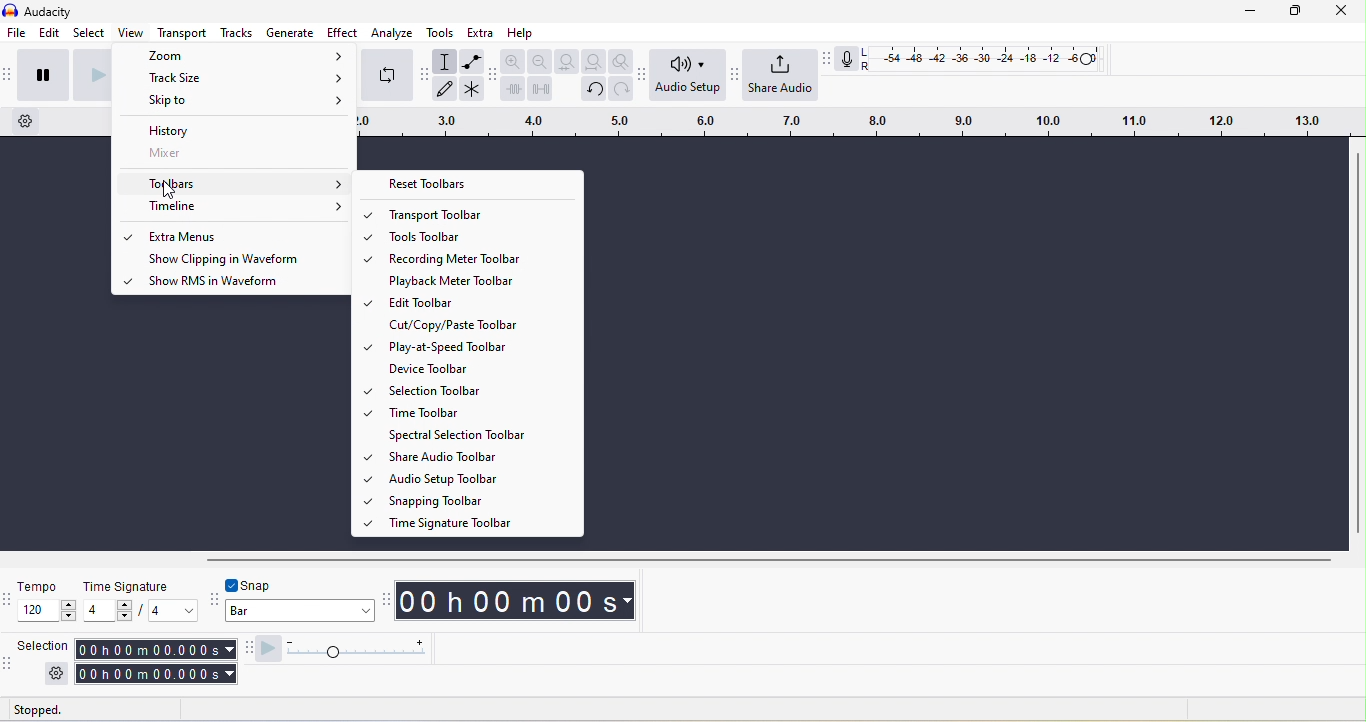  I want to click on analyze, so click(392, 33).